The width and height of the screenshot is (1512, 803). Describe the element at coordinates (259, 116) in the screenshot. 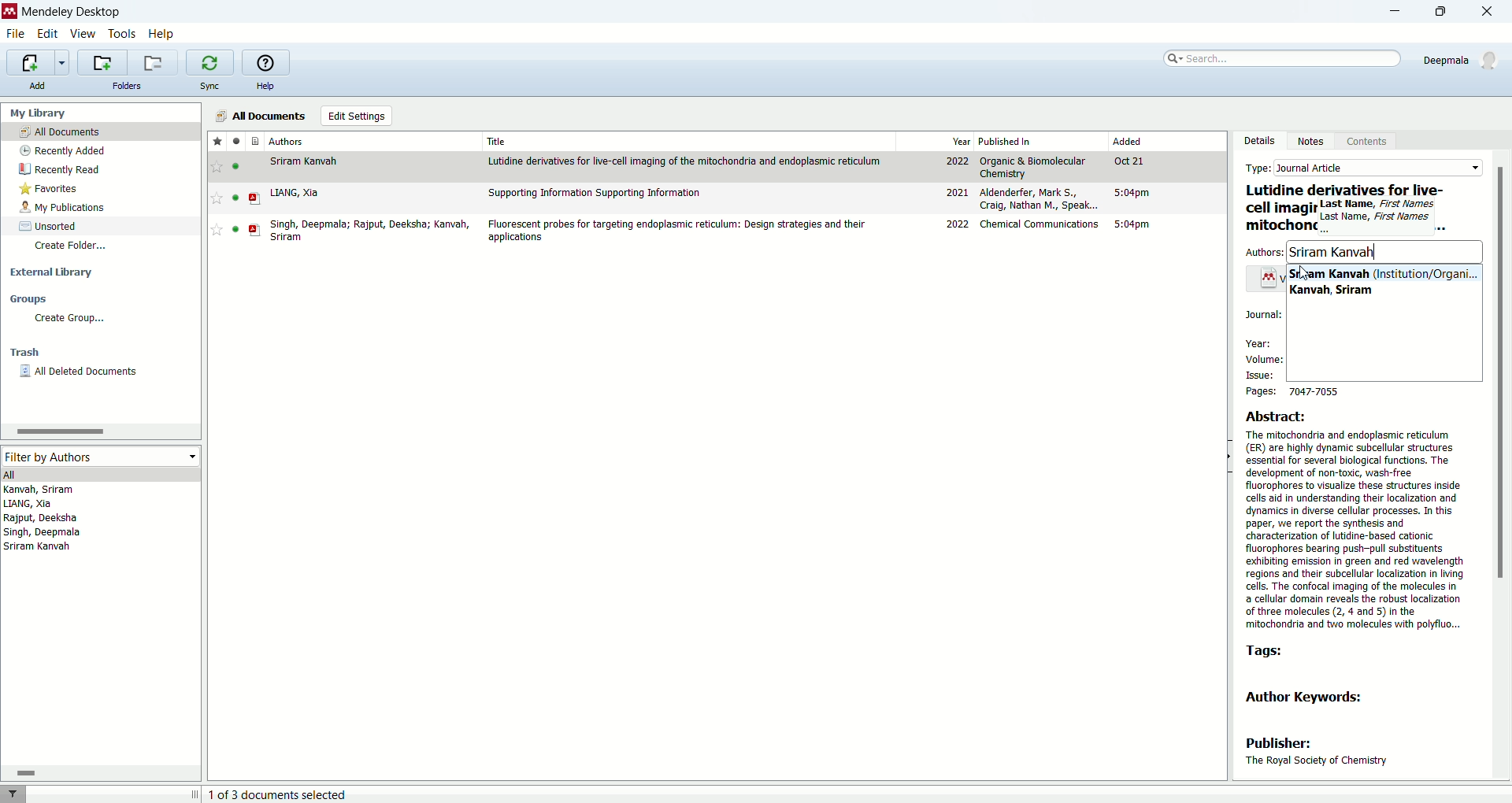

I see `all documnets` at that location.